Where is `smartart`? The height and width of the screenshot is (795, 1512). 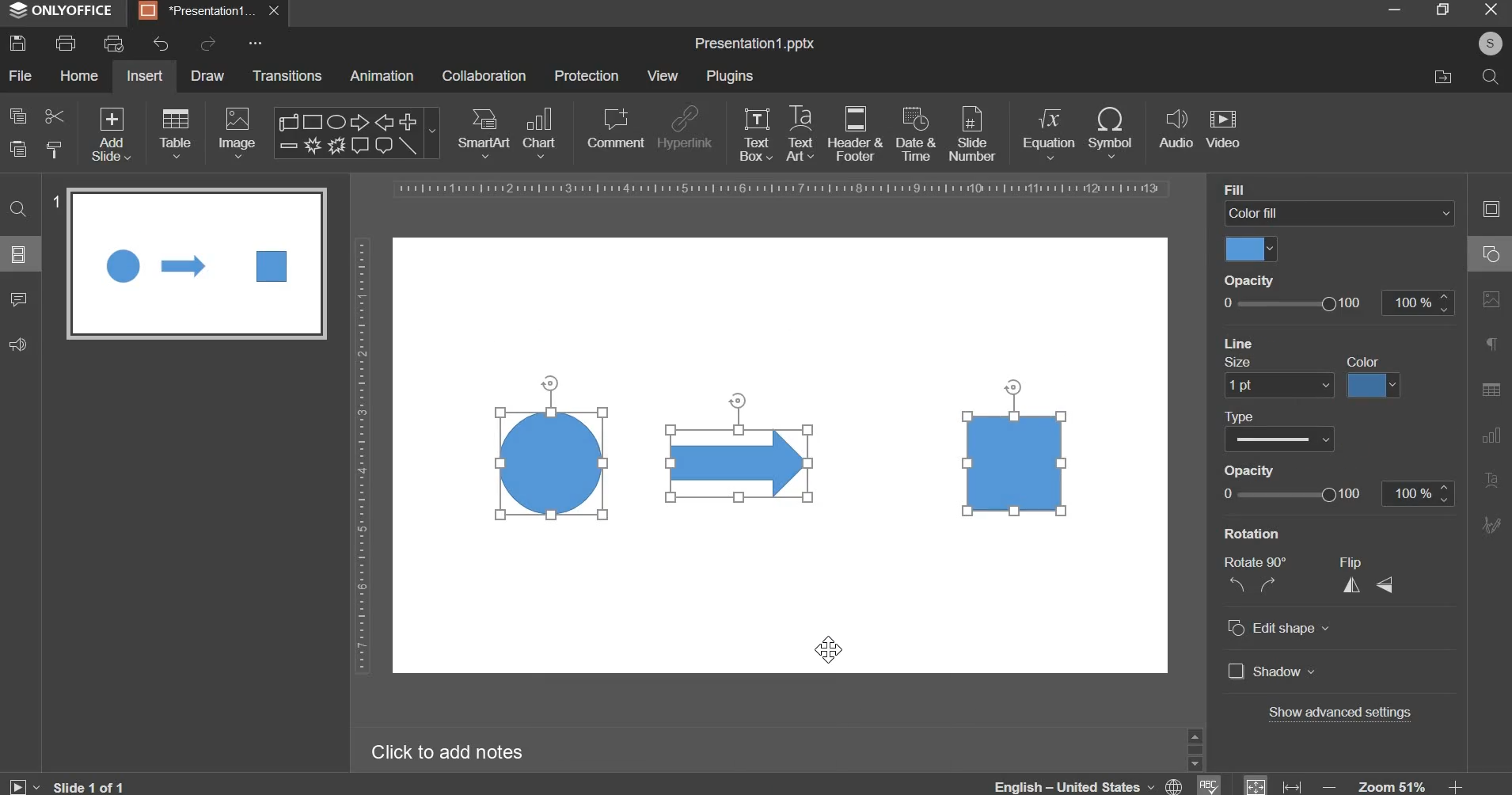 smartart is located at coordinates (484, 130).